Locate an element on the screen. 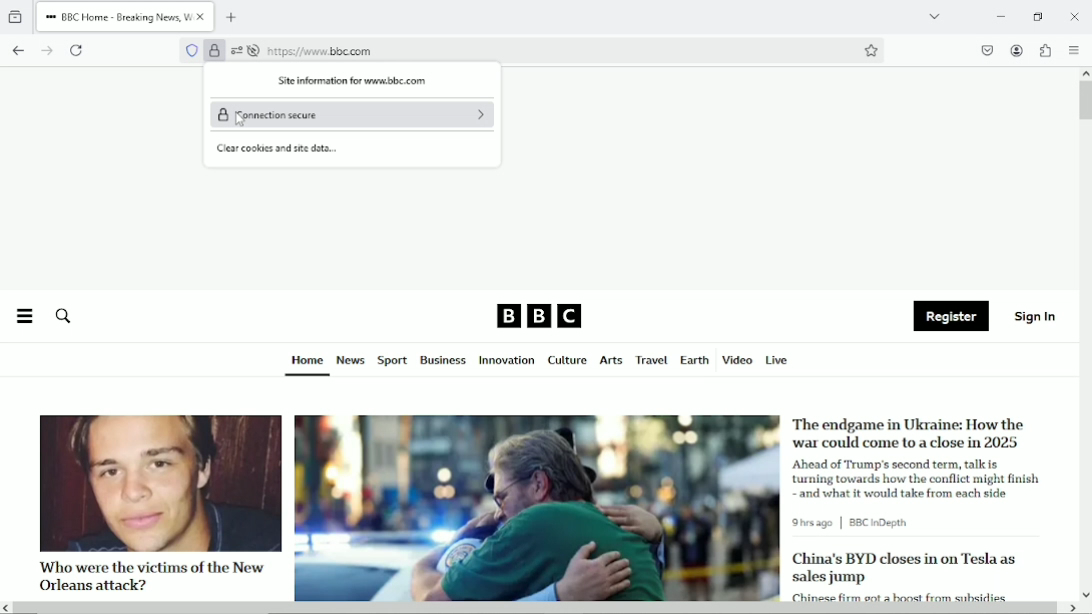  View recent browsing is located at coordinates (14, 15).